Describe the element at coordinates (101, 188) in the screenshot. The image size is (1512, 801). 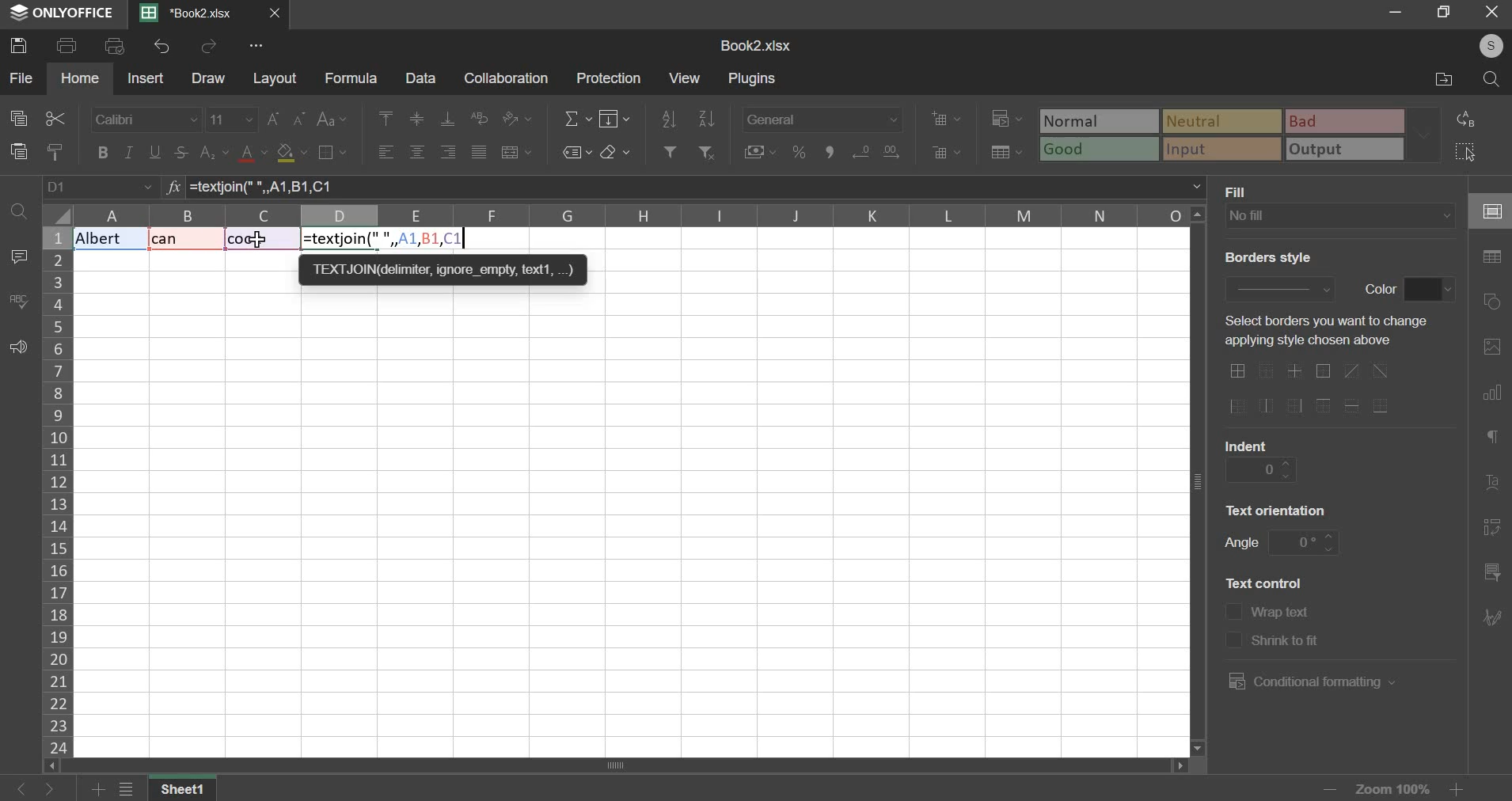
I see `cell name` at that location.